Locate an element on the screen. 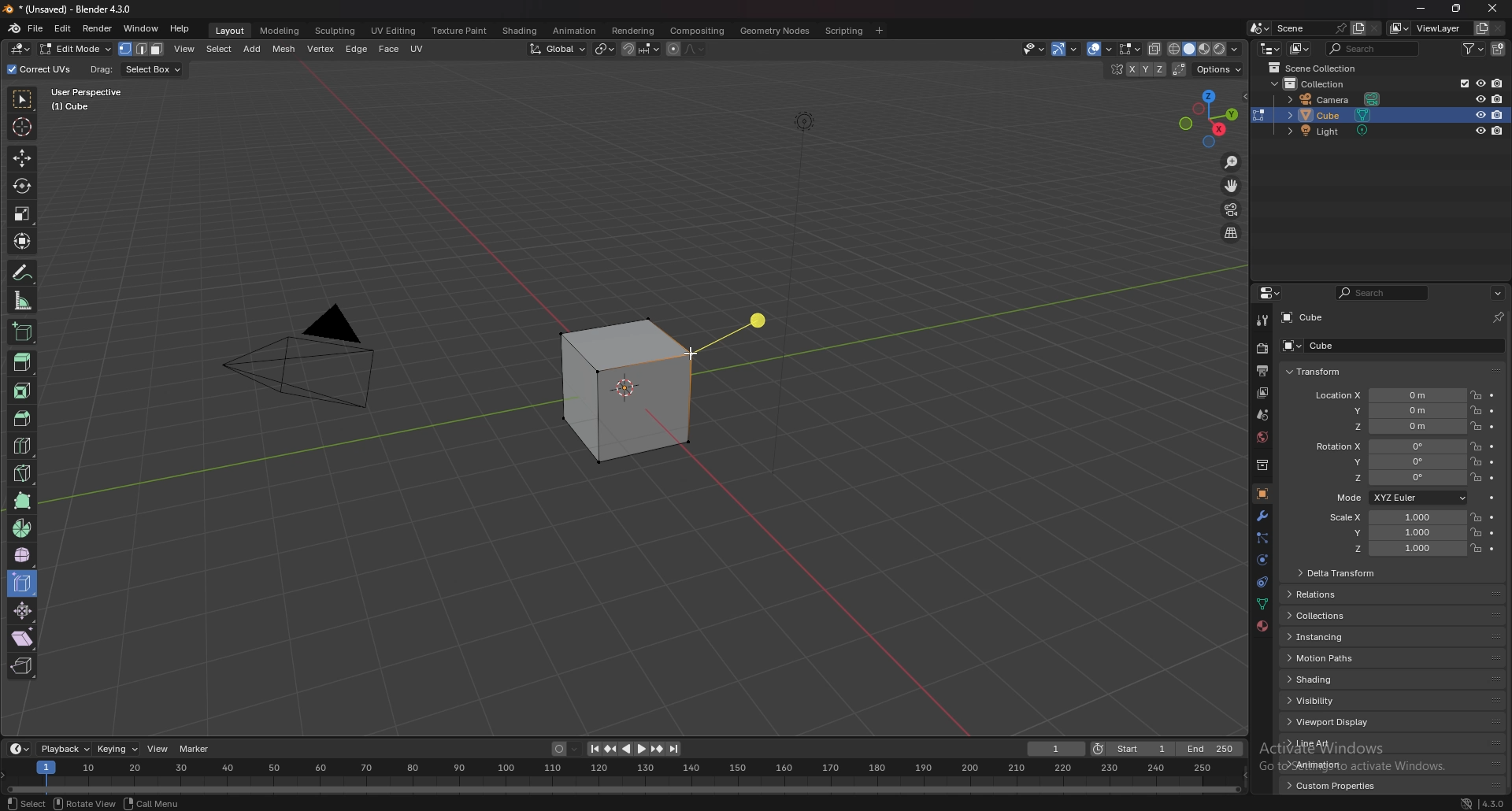 Image resolution: width=1512 pixels, height=811 pixels. delta transform is located at coordinates (1338, 573).